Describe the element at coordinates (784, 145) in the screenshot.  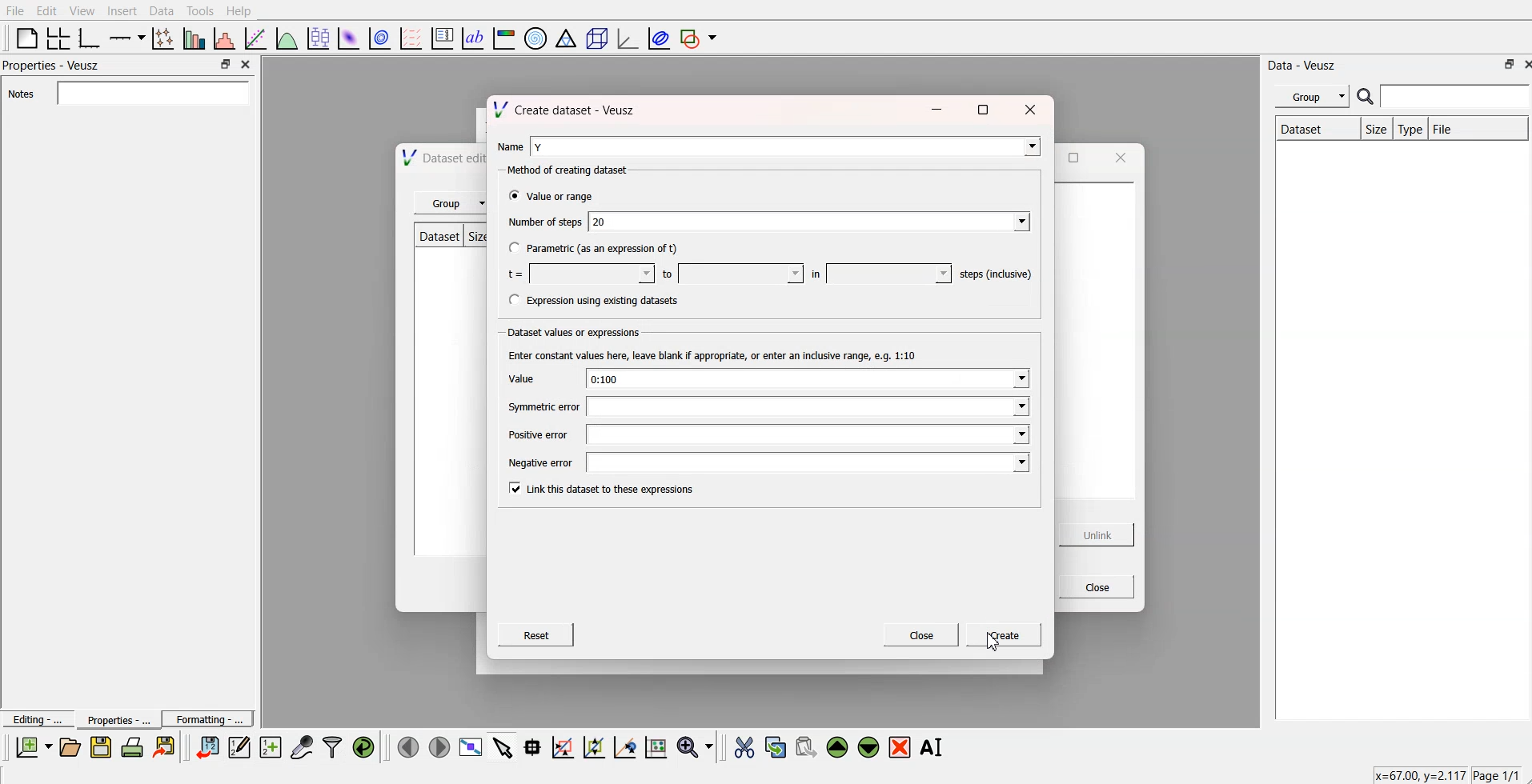
I see `ly` at that location.